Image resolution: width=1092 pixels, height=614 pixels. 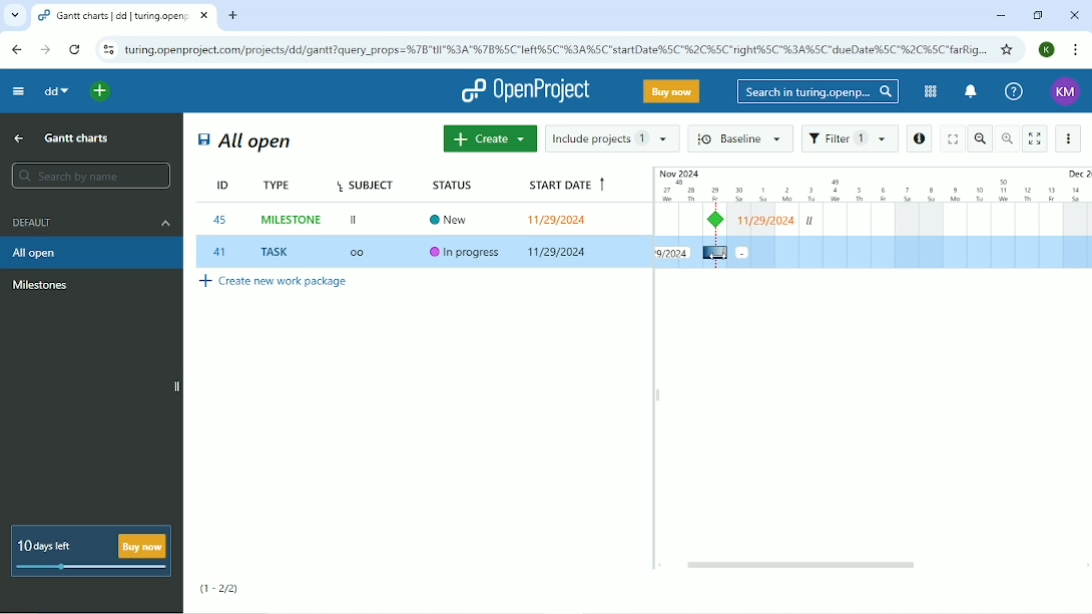 What do you see at coordinates (18, 92) in the screenshot?
I see `Collapse project menu` at bounding box center [18, 92].